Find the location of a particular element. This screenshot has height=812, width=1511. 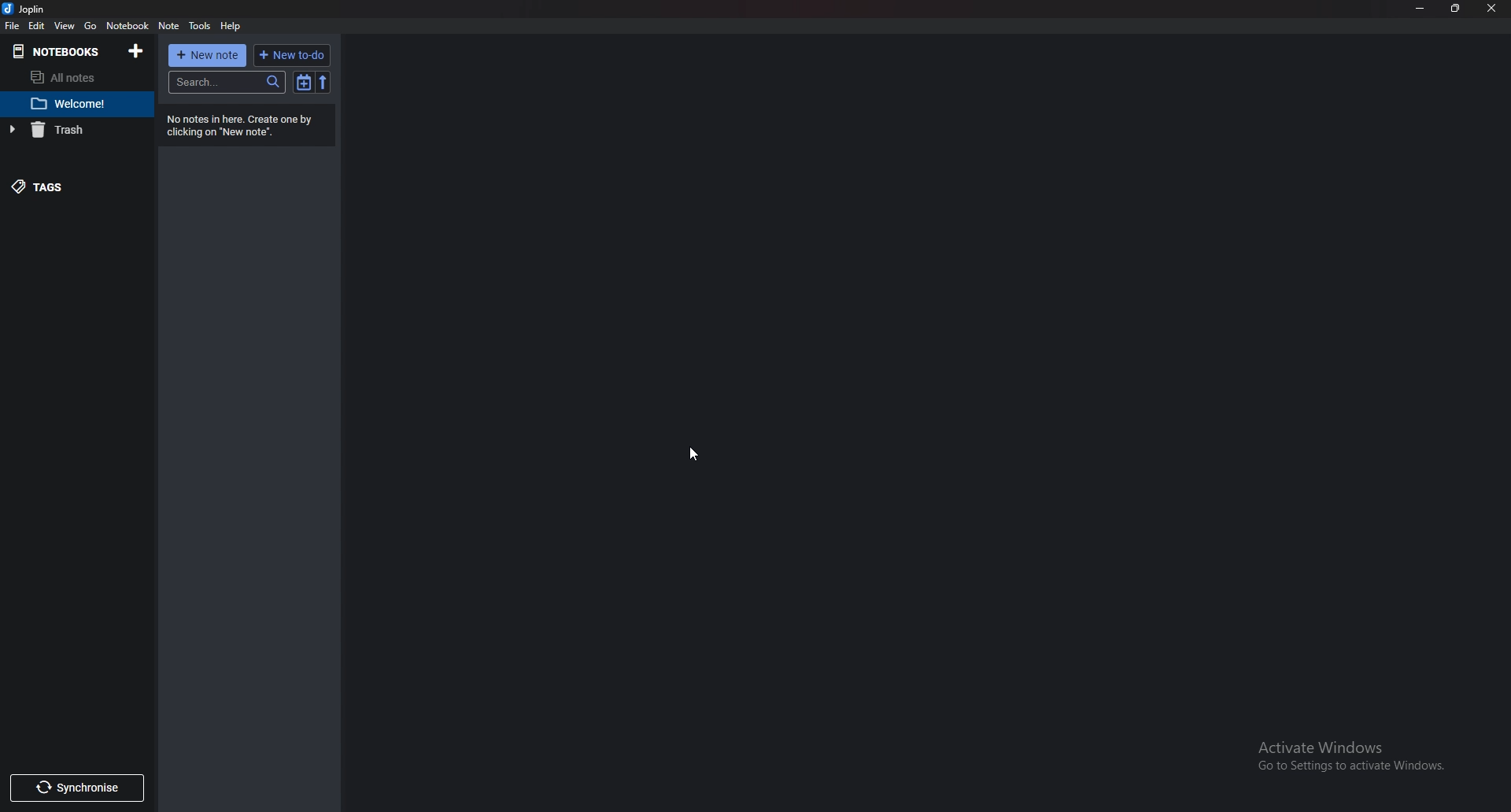

tags is located at coordinates (69, 186).